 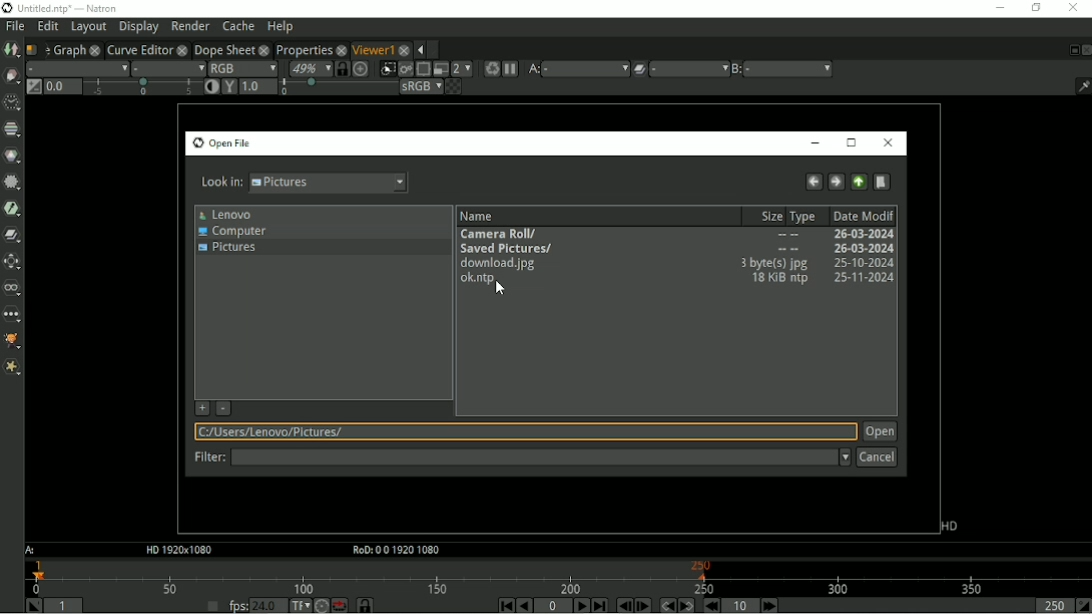 I want to click on Gamma correction, so click(x=229, y=87).